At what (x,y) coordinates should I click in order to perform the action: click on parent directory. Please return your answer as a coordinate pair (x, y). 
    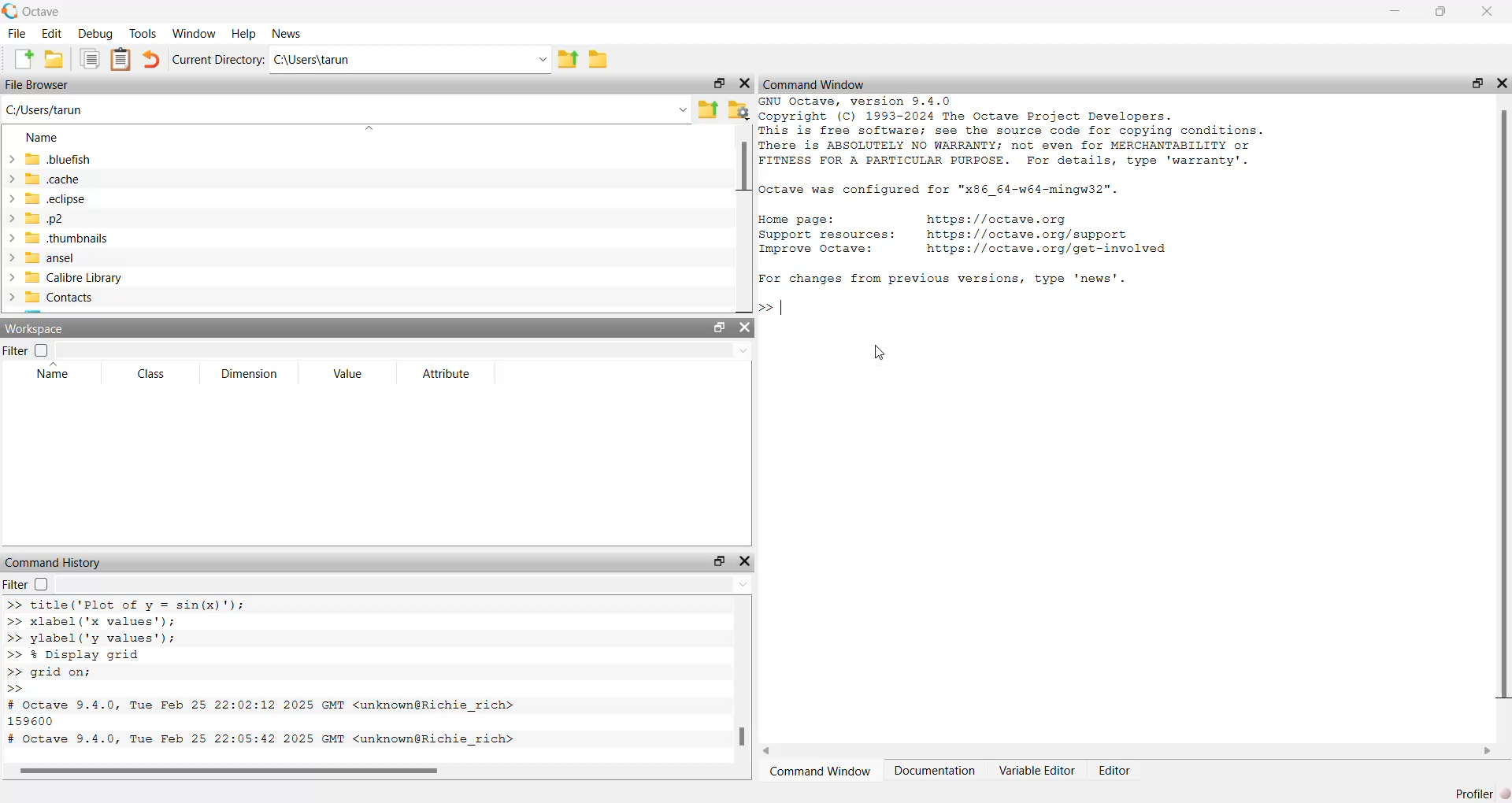
    Looking at the image, I should click on (569, 59).